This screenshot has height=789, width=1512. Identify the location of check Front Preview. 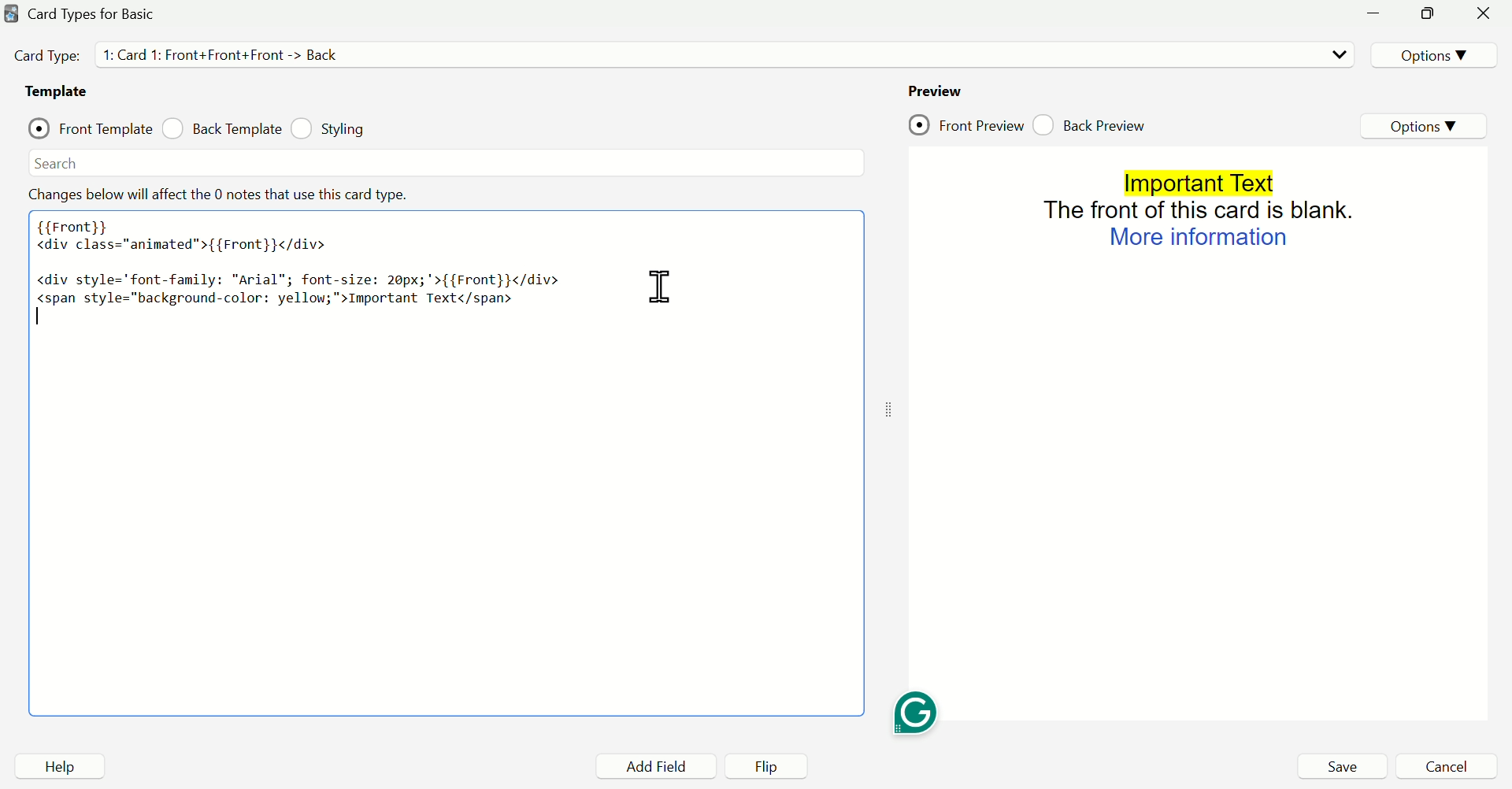
(966, 122).